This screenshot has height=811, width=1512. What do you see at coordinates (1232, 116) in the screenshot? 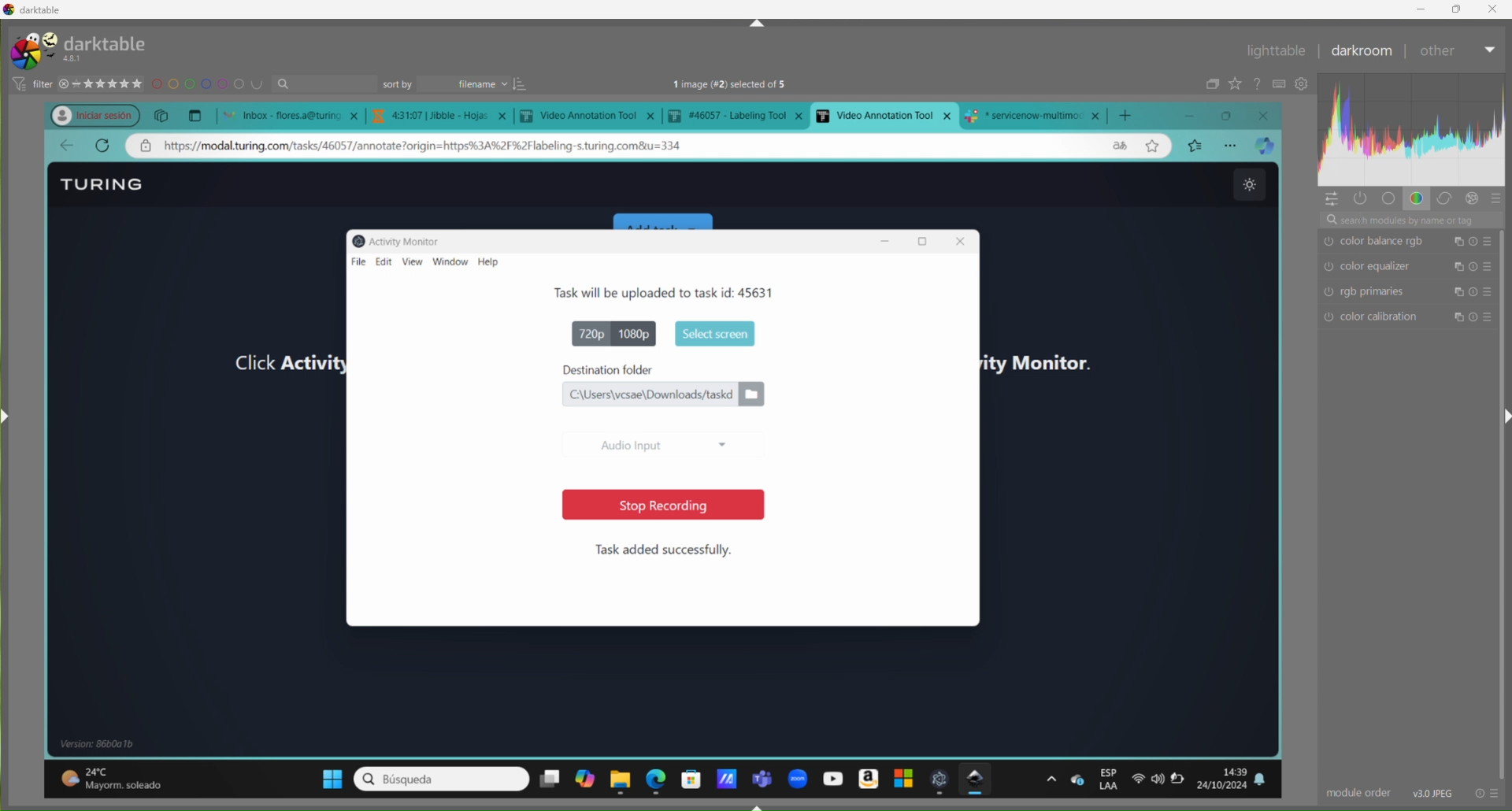
I see `maximize` at bounding box center [1232, 116].